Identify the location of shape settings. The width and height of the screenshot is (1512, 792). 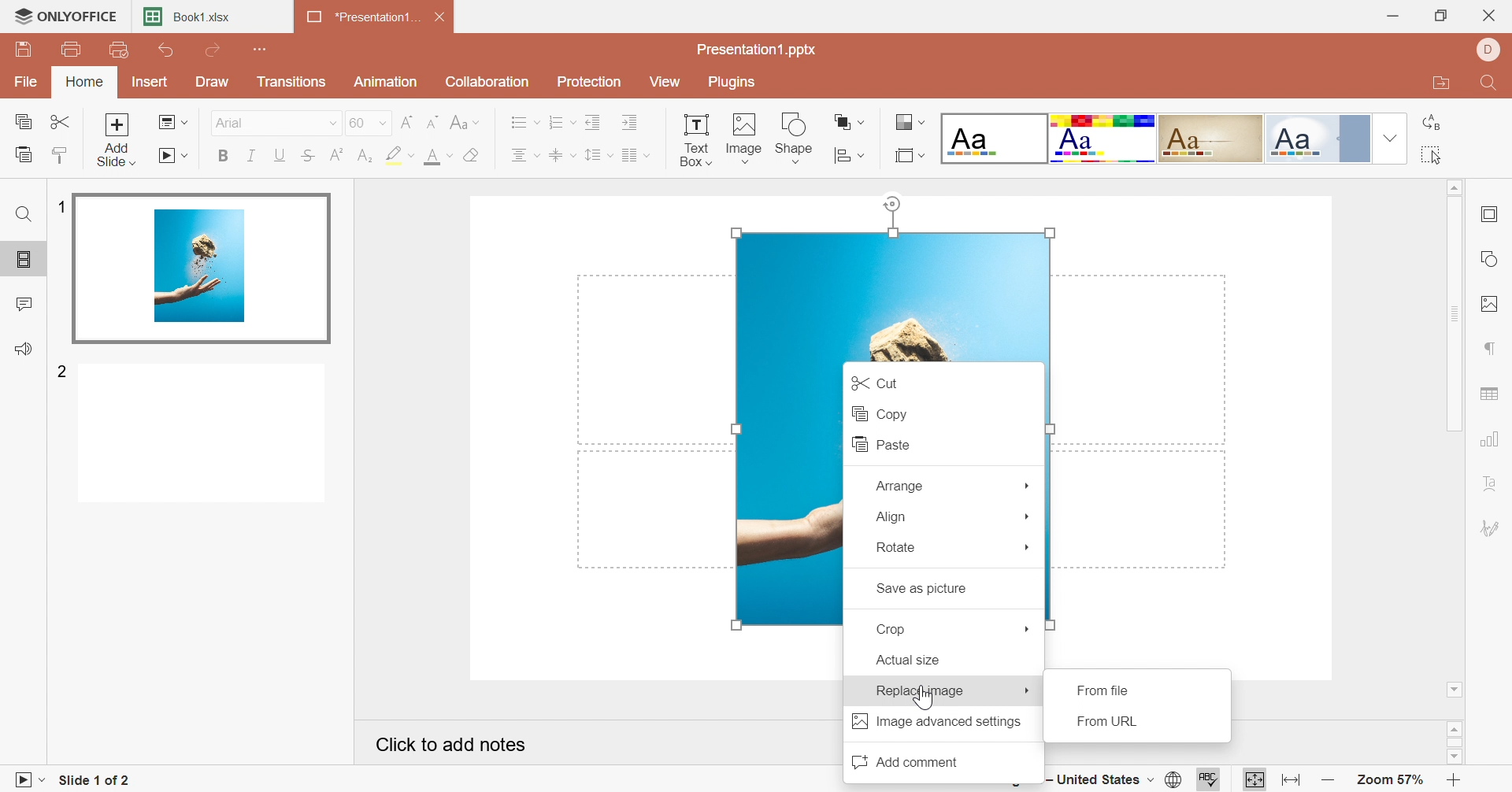
(1492, 255).